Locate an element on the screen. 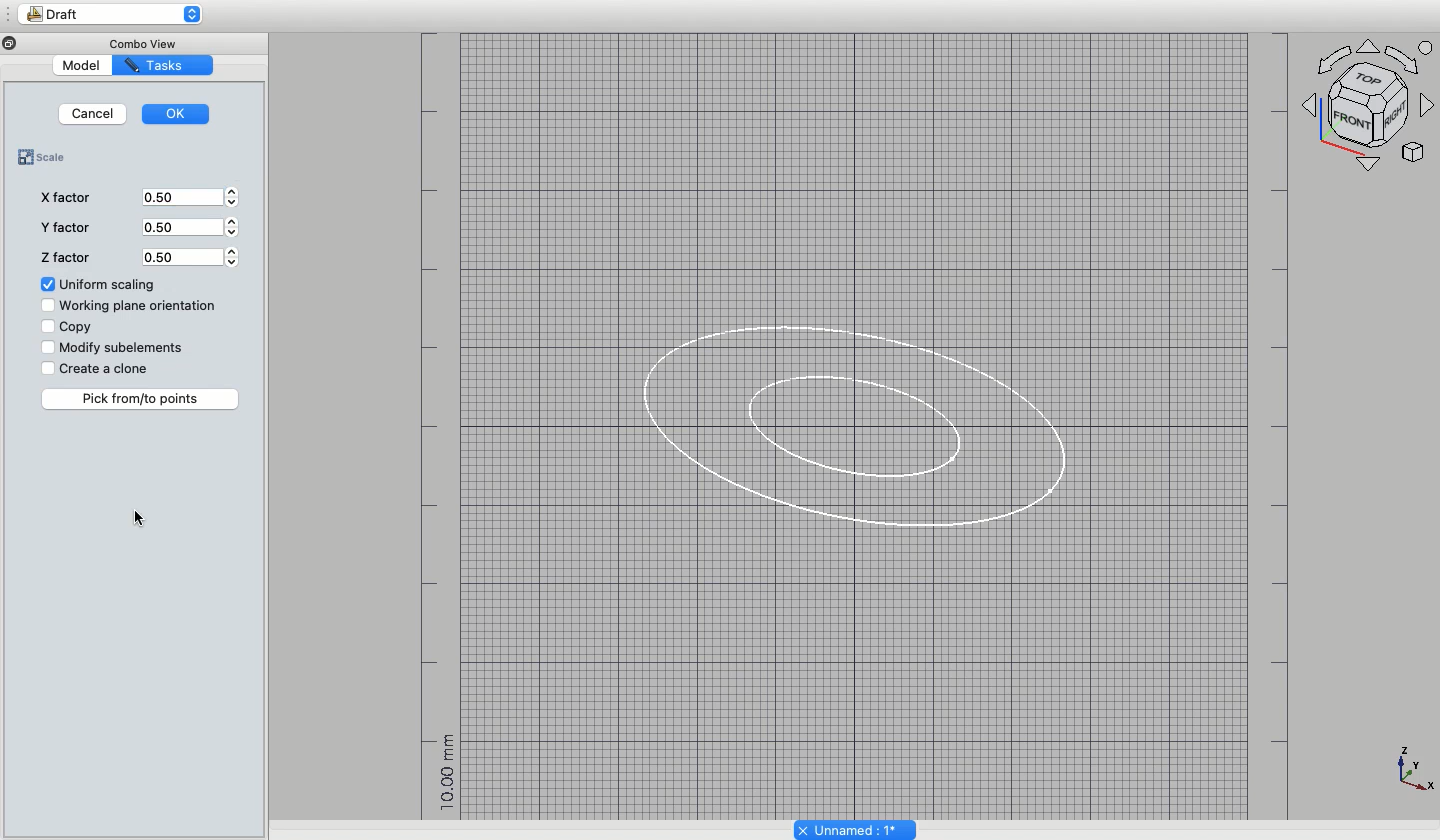  Z factor is located at coordinates (68, 257).